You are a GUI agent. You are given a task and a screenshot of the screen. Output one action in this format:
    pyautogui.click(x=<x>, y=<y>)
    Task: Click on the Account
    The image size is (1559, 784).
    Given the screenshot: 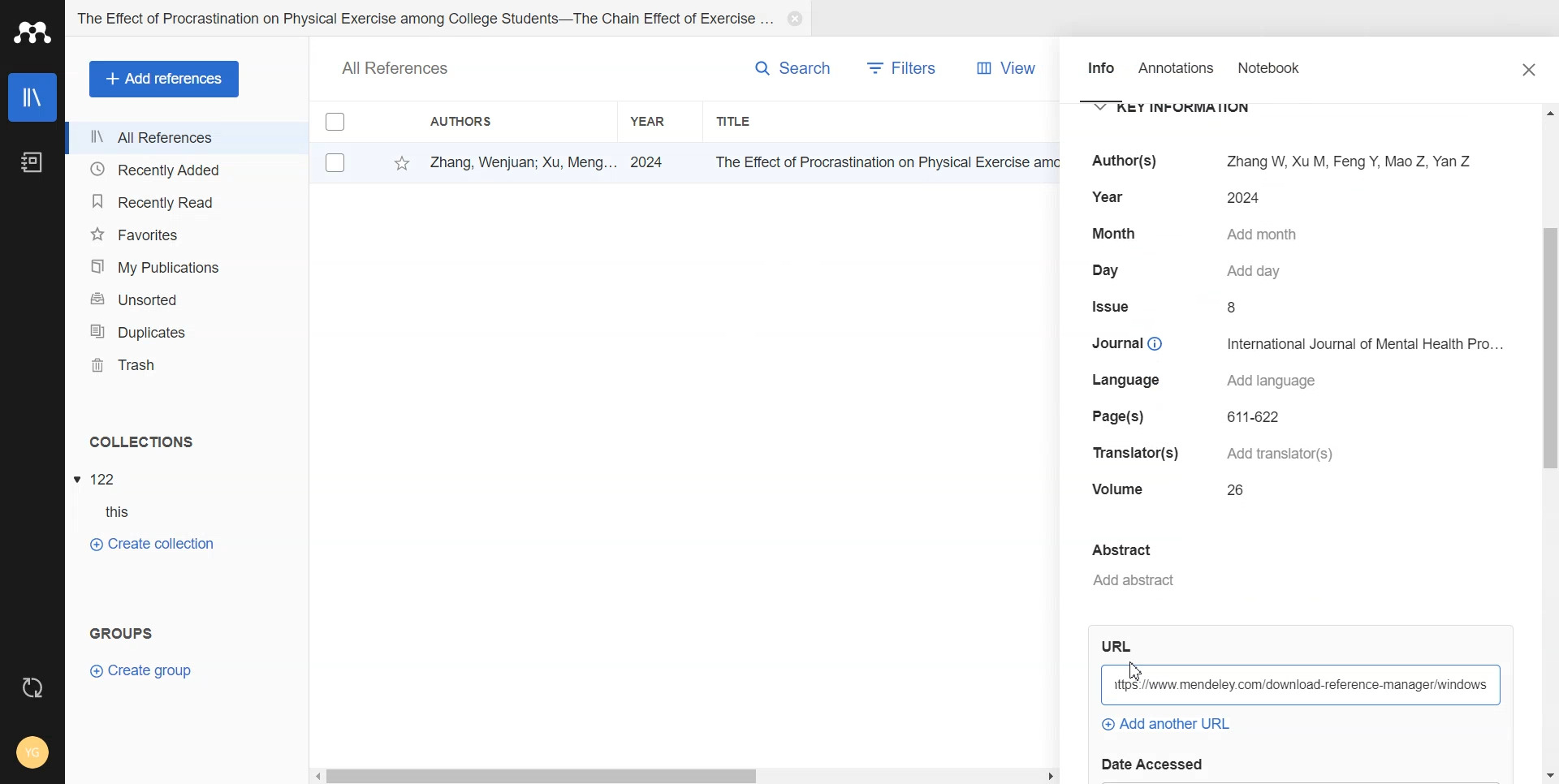 What is the action you would take?
    pyautogui.click(x=32, y=752)
    